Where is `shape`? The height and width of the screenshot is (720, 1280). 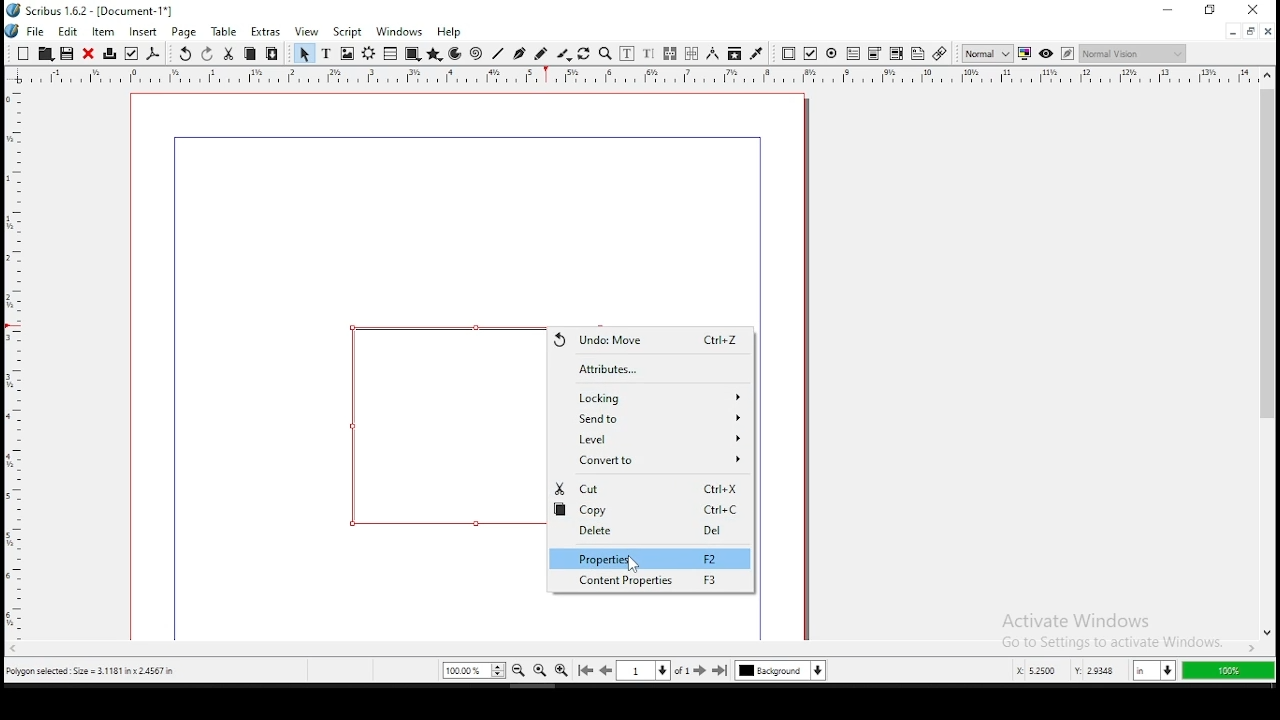 shape is located at coordinates (412, 54).